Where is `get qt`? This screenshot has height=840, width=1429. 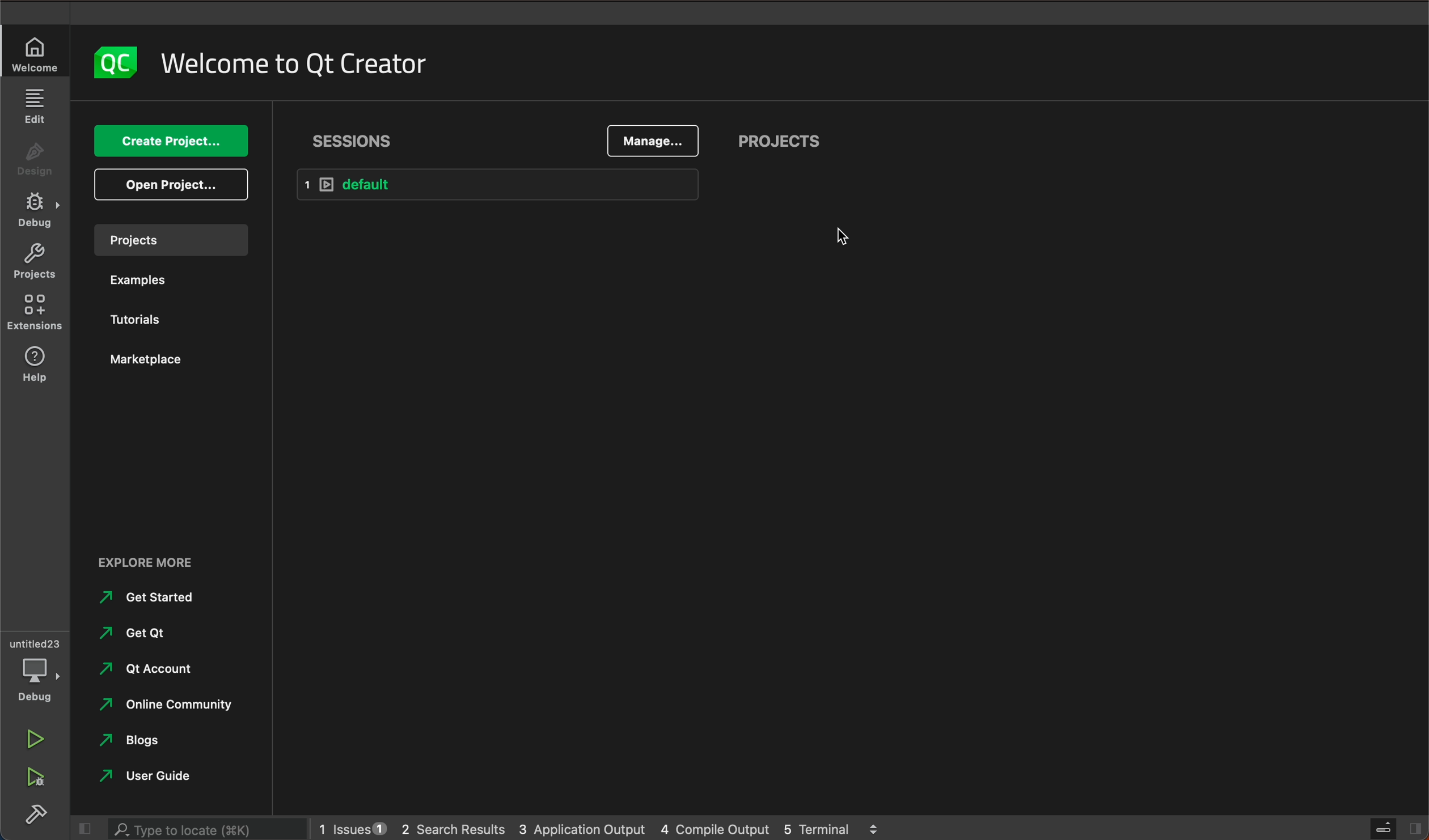
get qt is located at coordinates (137, 634).